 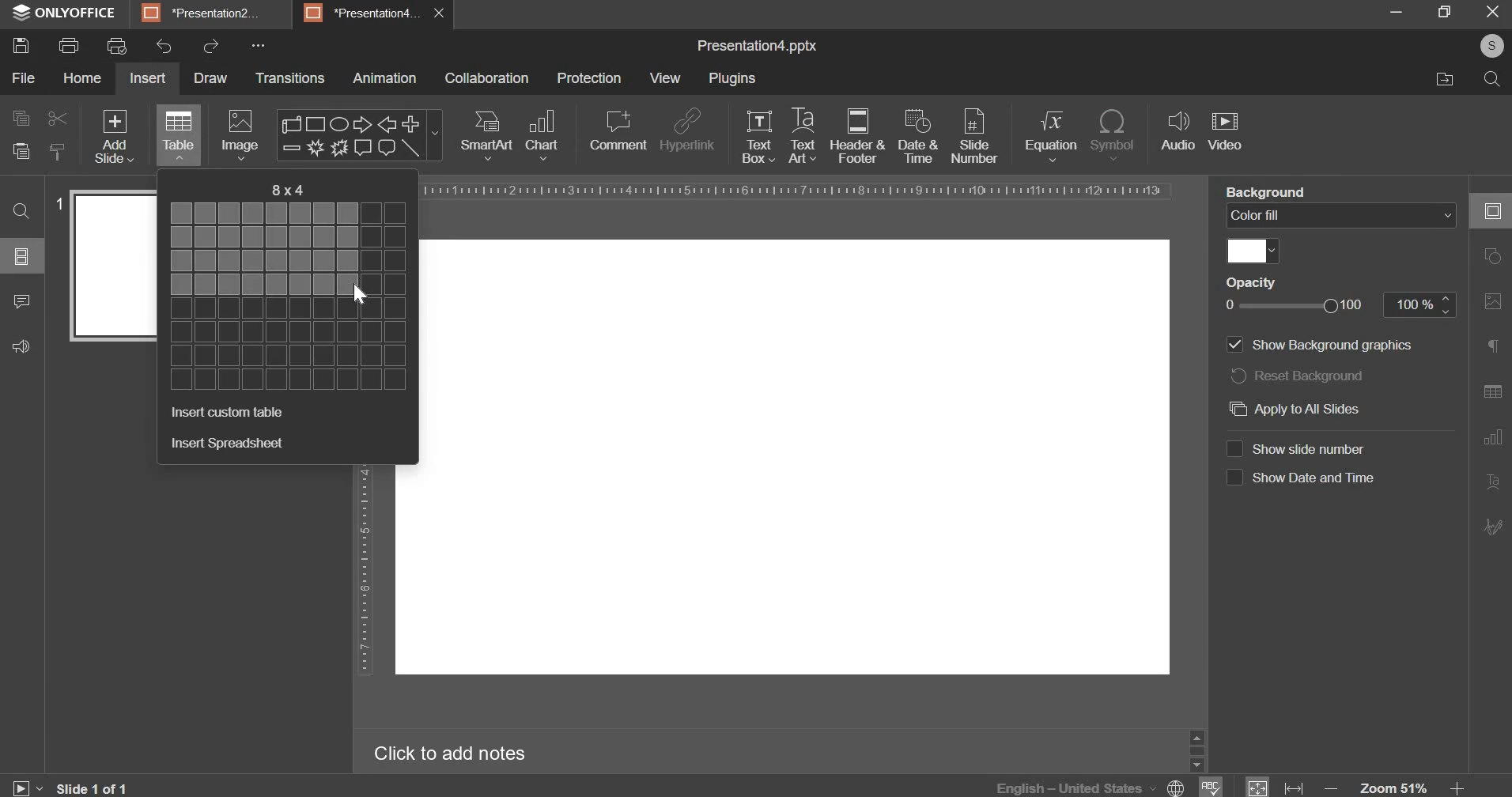 What do you see at coordinates (210, 78) in the screenshot?
I see `draw` at bounding box center [210, 78].